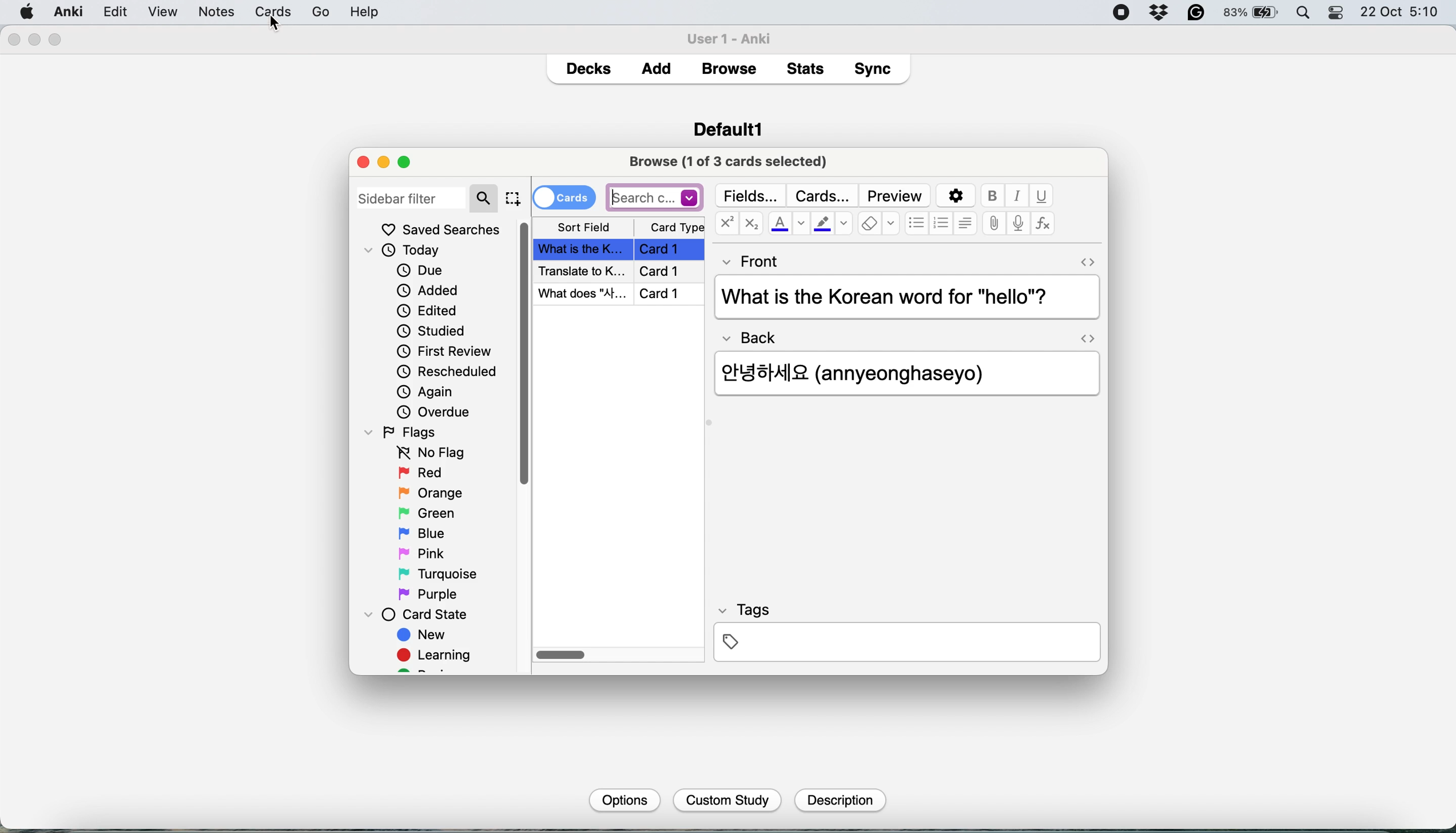 The image size is (1456, 833). I want to click on tags, so click(906, 631).